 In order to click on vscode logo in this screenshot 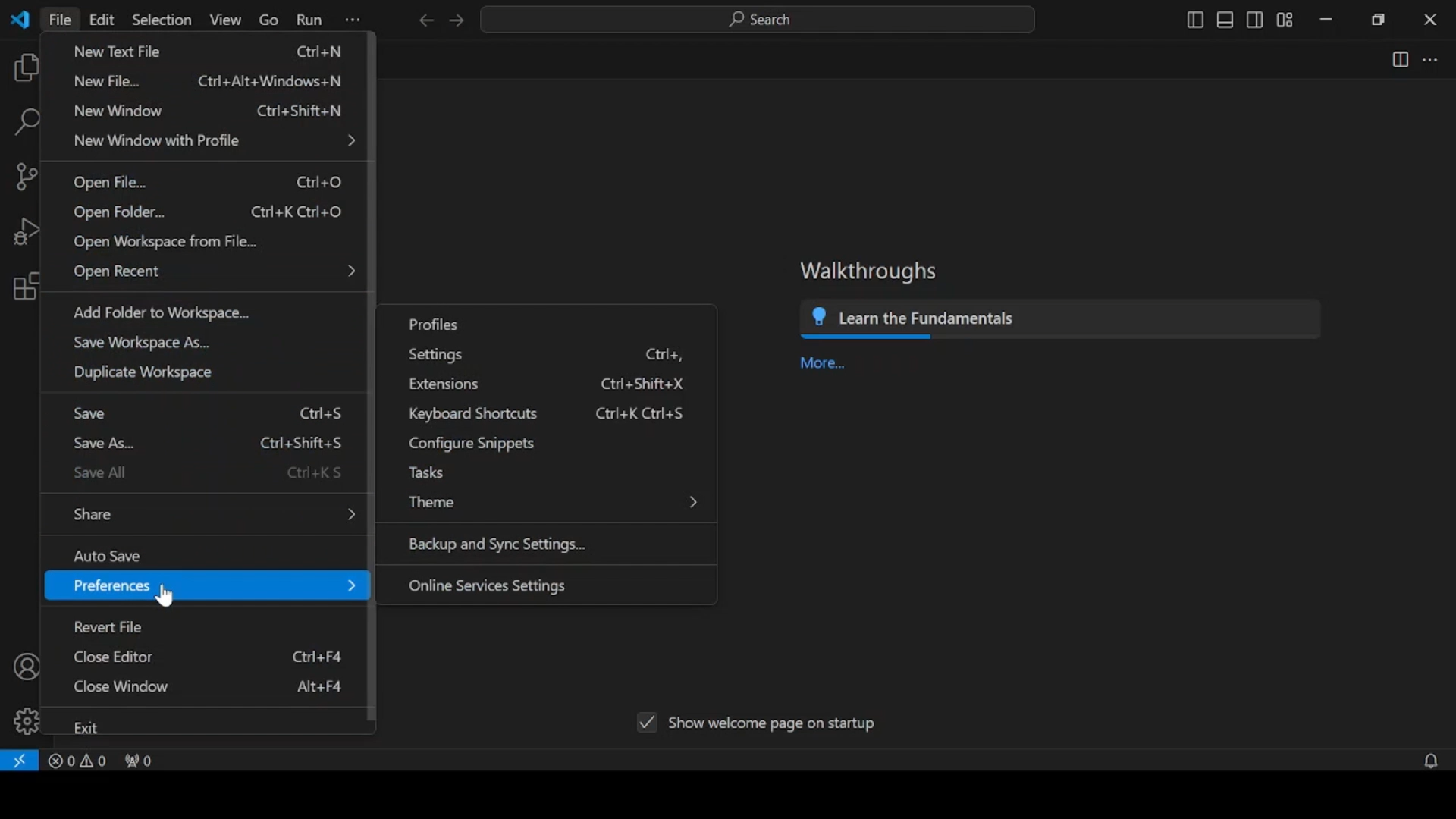, I will do `click(19, 20)`.